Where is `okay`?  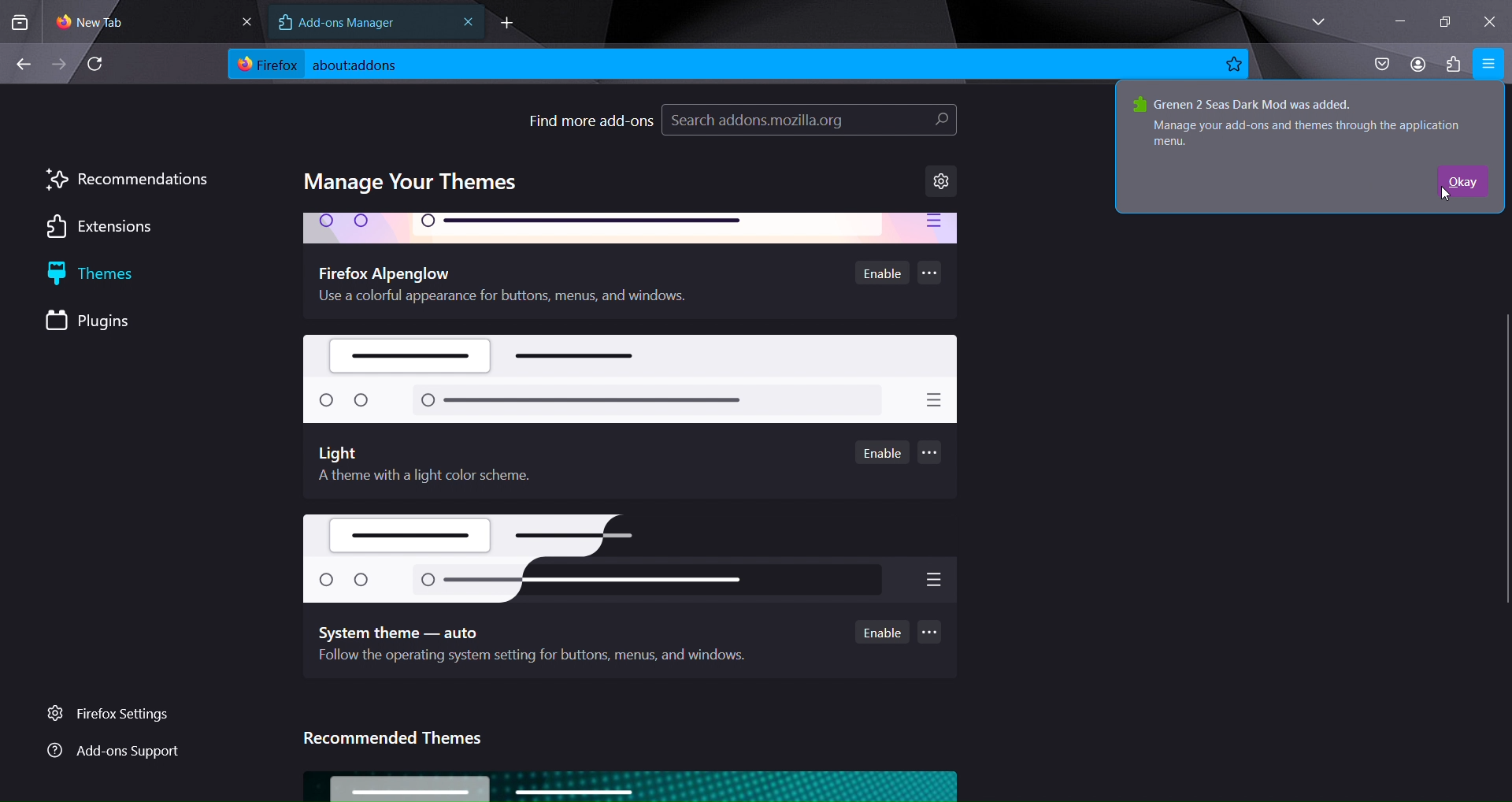 okay is located at coordinates (1462, 181).